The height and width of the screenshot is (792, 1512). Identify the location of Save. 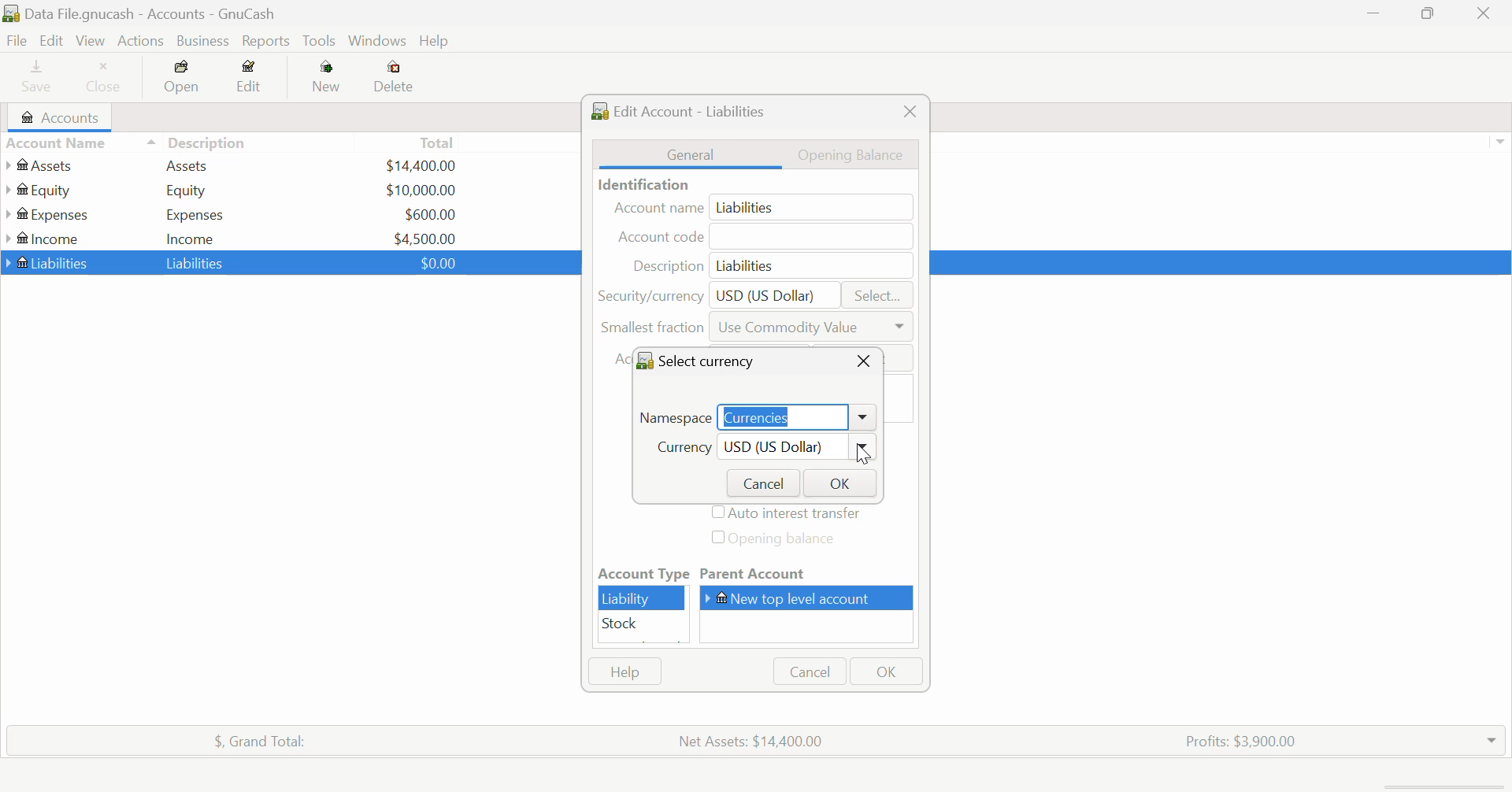
(30, 79).